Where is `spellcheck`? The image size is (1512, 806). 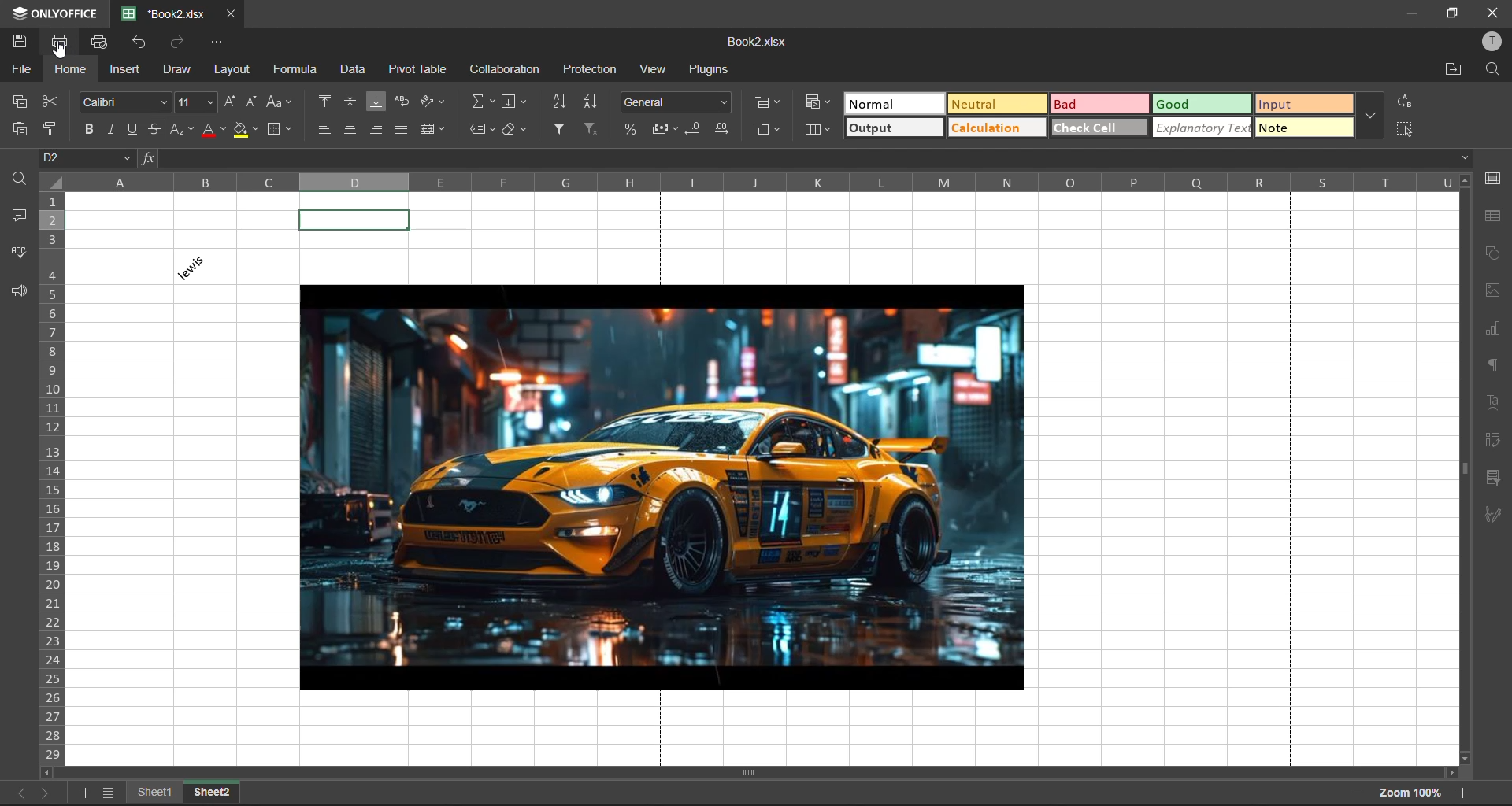 spellcheck is located at coordinates (17, 252).